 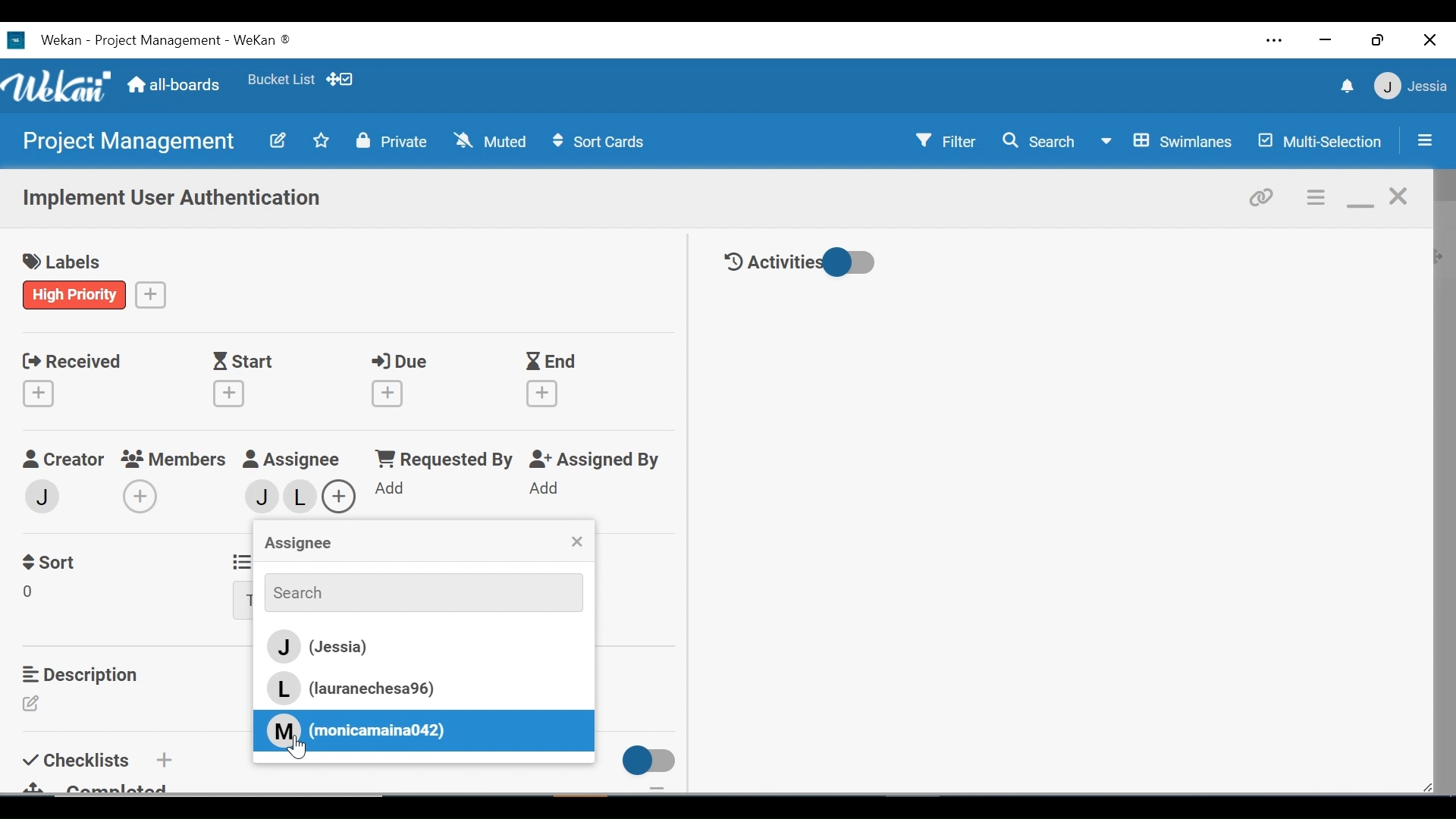 What do you see at coordinates (188, 38) in the screenshot?
I see `Wekan - project management - wekan` at bounding box center [188, 38].